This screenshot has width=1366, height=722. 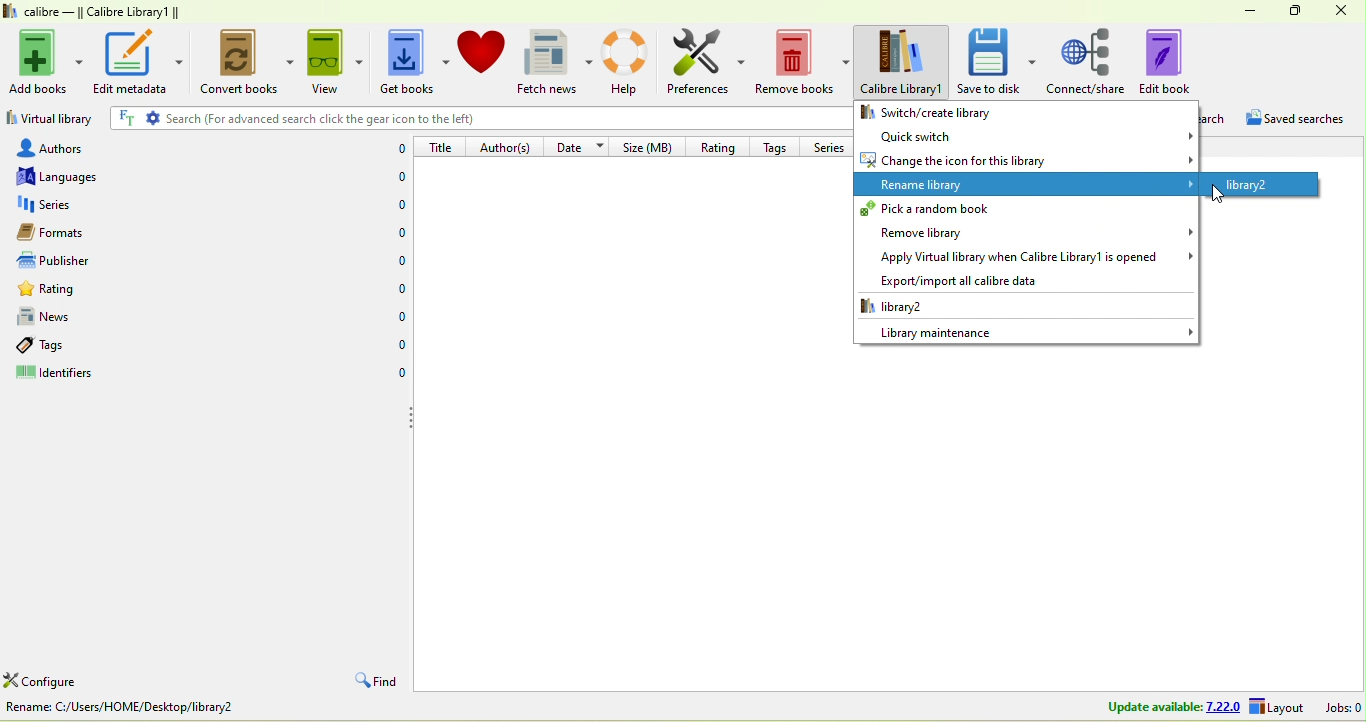 I want to click on 0, so click(x=394, y=149).